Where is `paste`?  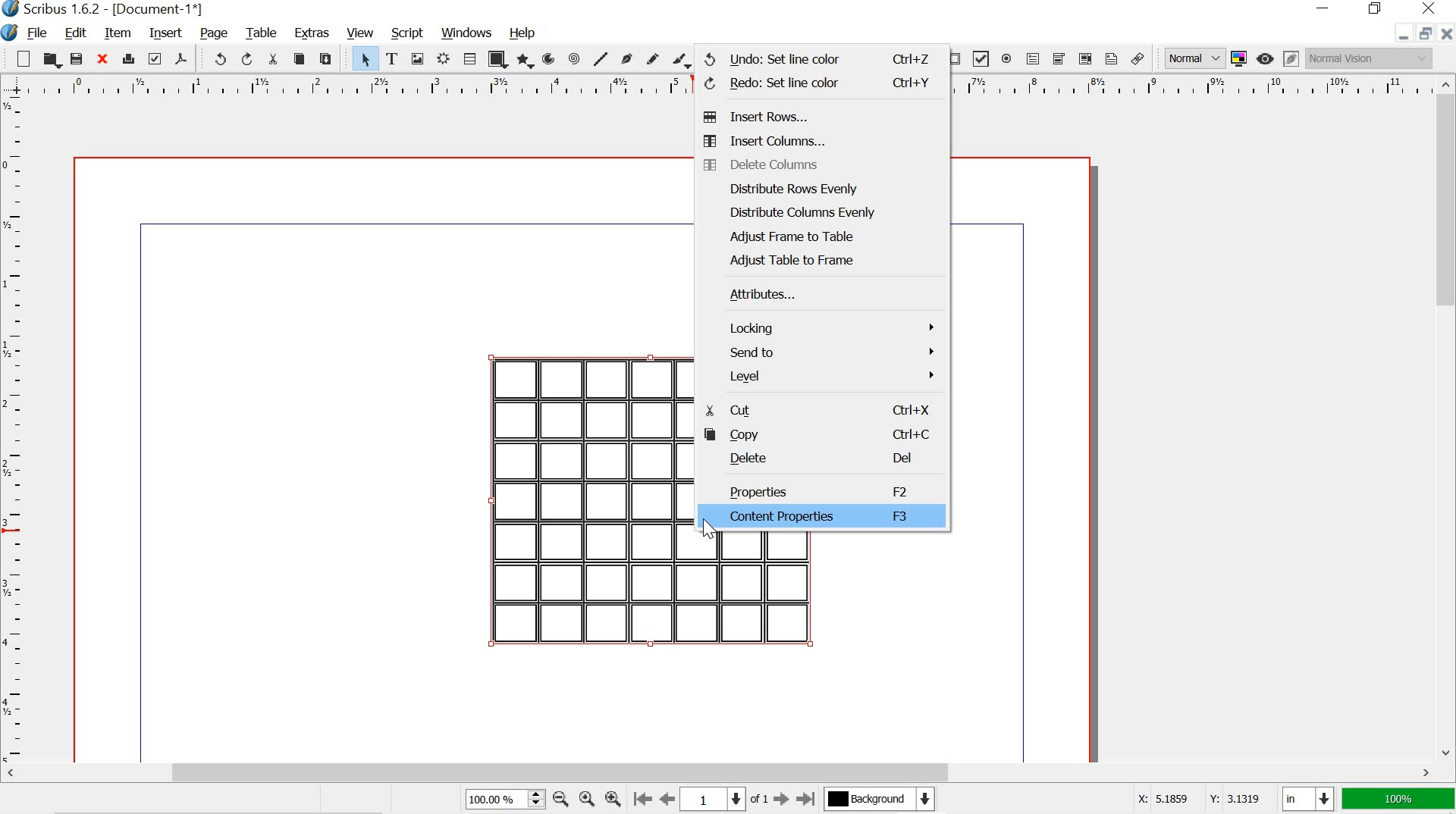
paste is located at coordinates (331, 61).